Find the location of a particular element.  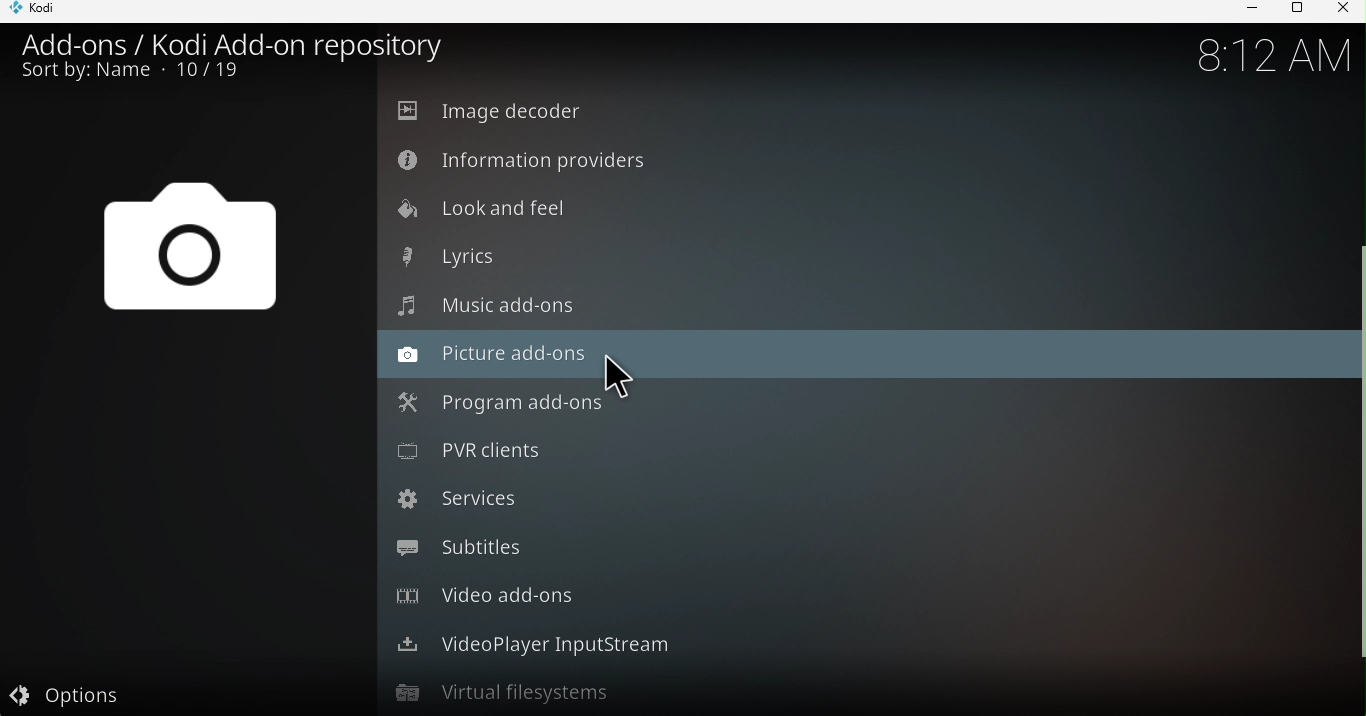

Music add-ons is located at coordinates (851, 305).